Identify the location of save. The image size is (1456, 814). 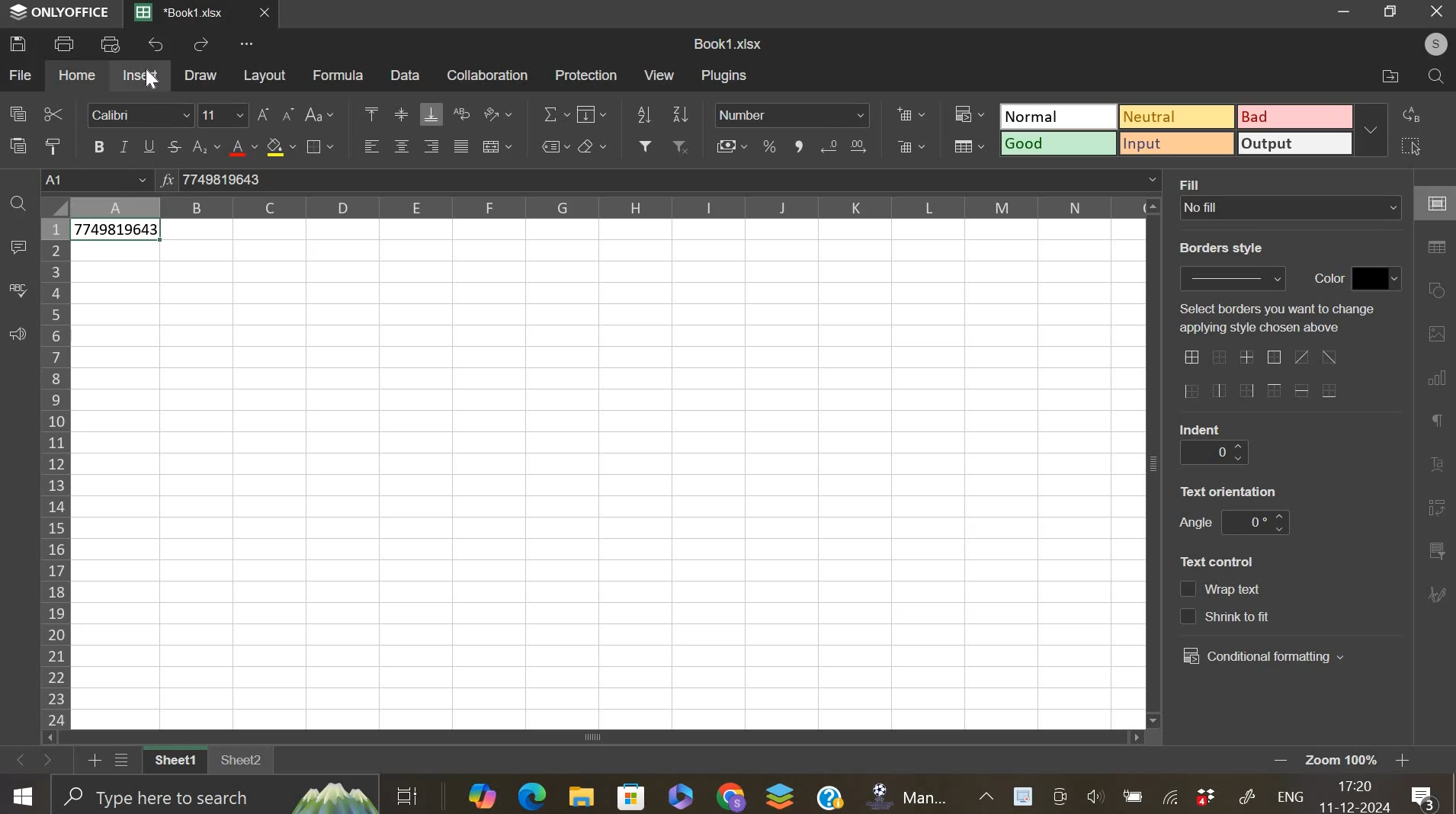
(18, 43).